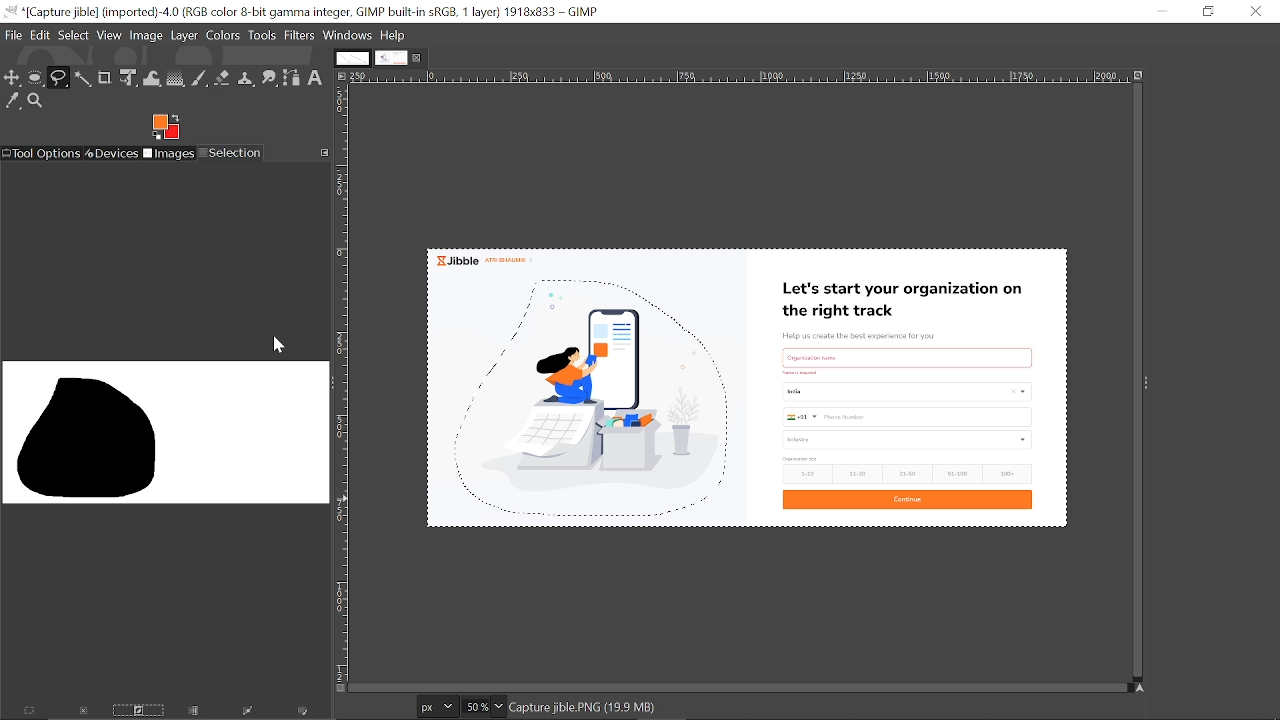 The width and height of the screenshot is (1280, 720). What do you see at coordinates (201, 80) in the screenshot?
I see `Paintbrush tool` at bounding box center [201, 80].